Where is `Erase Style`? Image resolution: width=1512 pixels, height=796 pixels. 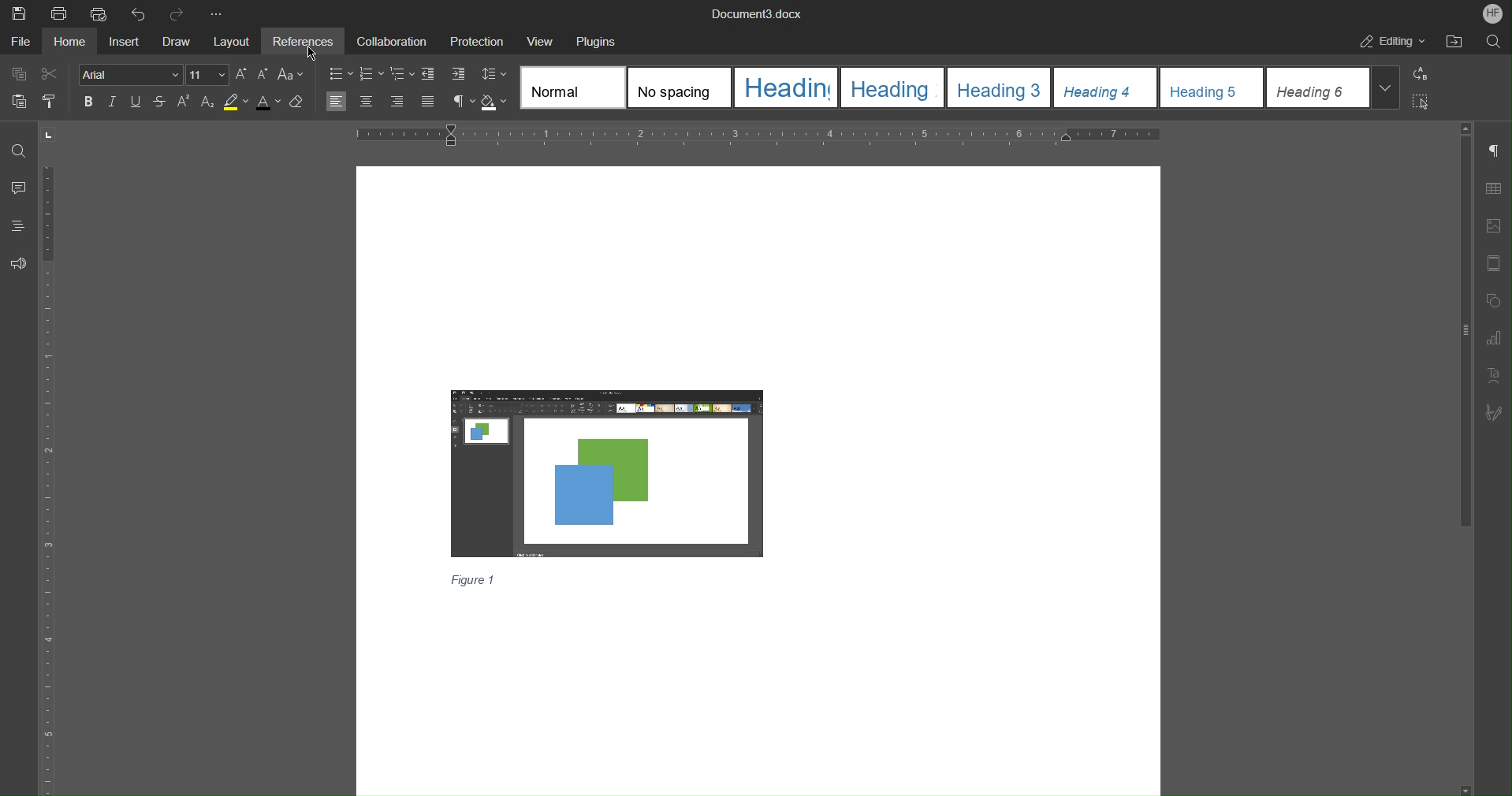 Erase Style is located at coordinates (300, 102).